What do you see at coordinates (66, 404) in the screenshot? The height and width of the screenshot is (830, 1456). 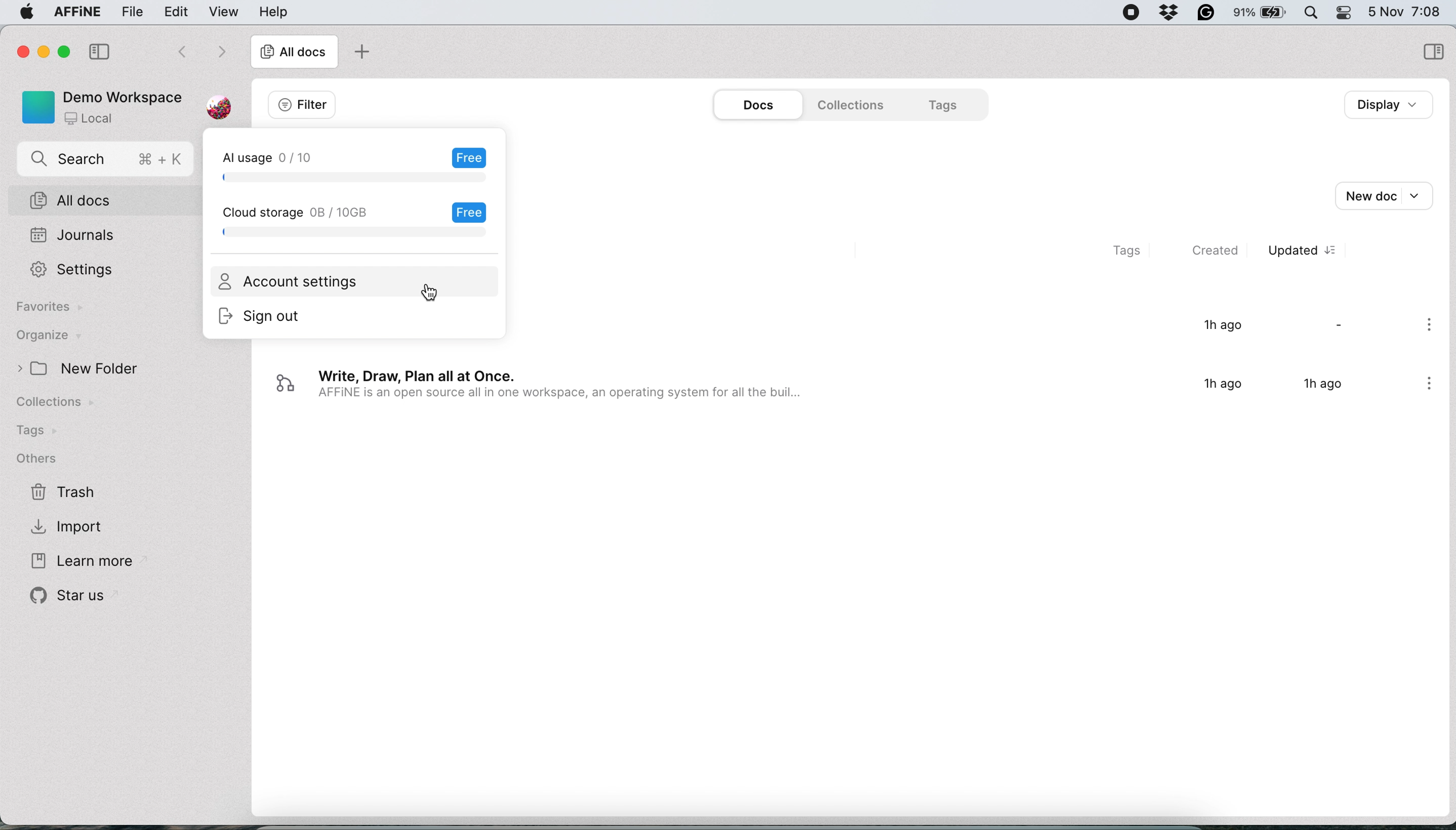 I see `collections` at bounding box center [66, 404].